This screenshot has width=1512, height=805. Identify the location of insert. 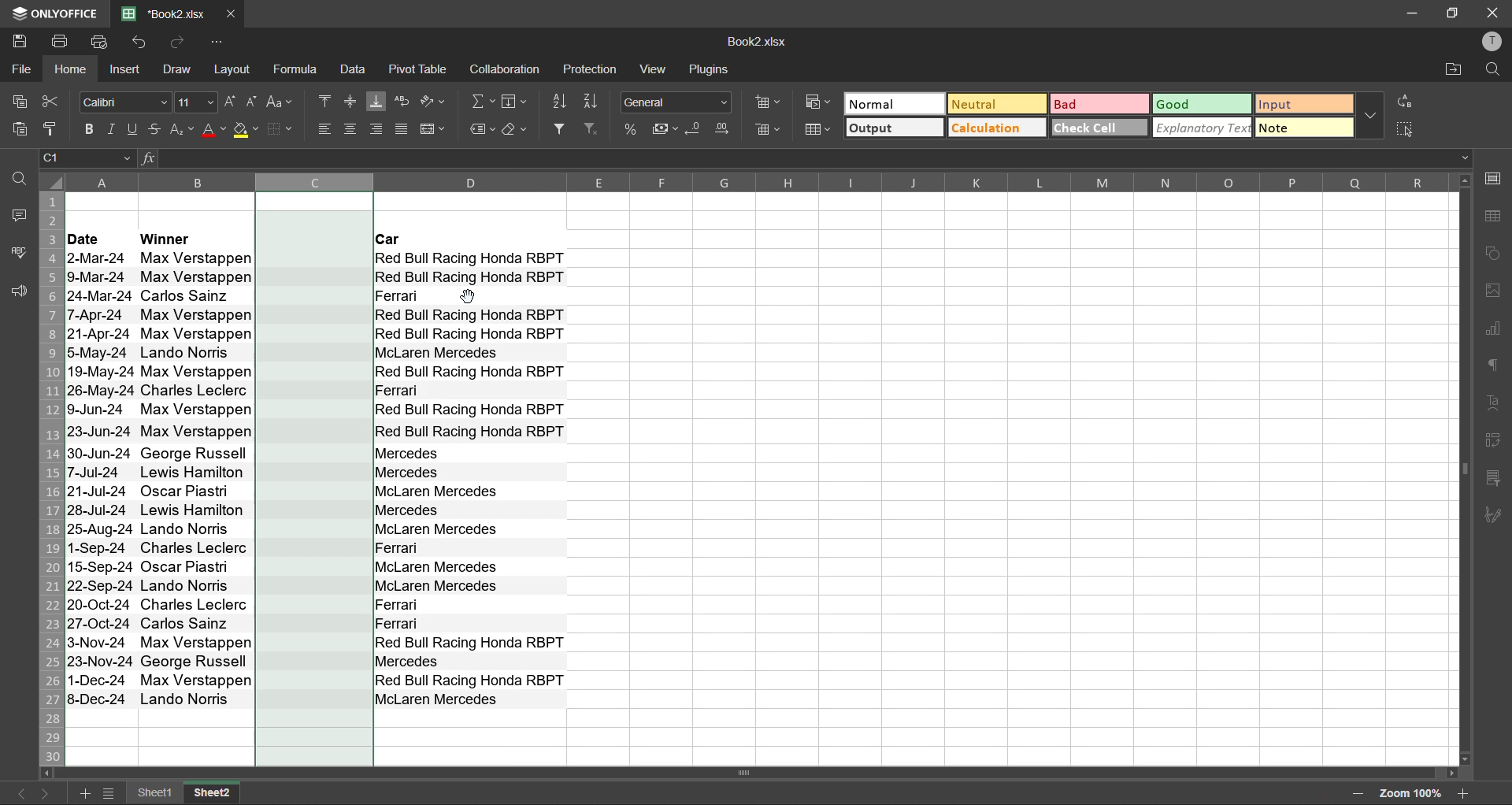
(130, 71).